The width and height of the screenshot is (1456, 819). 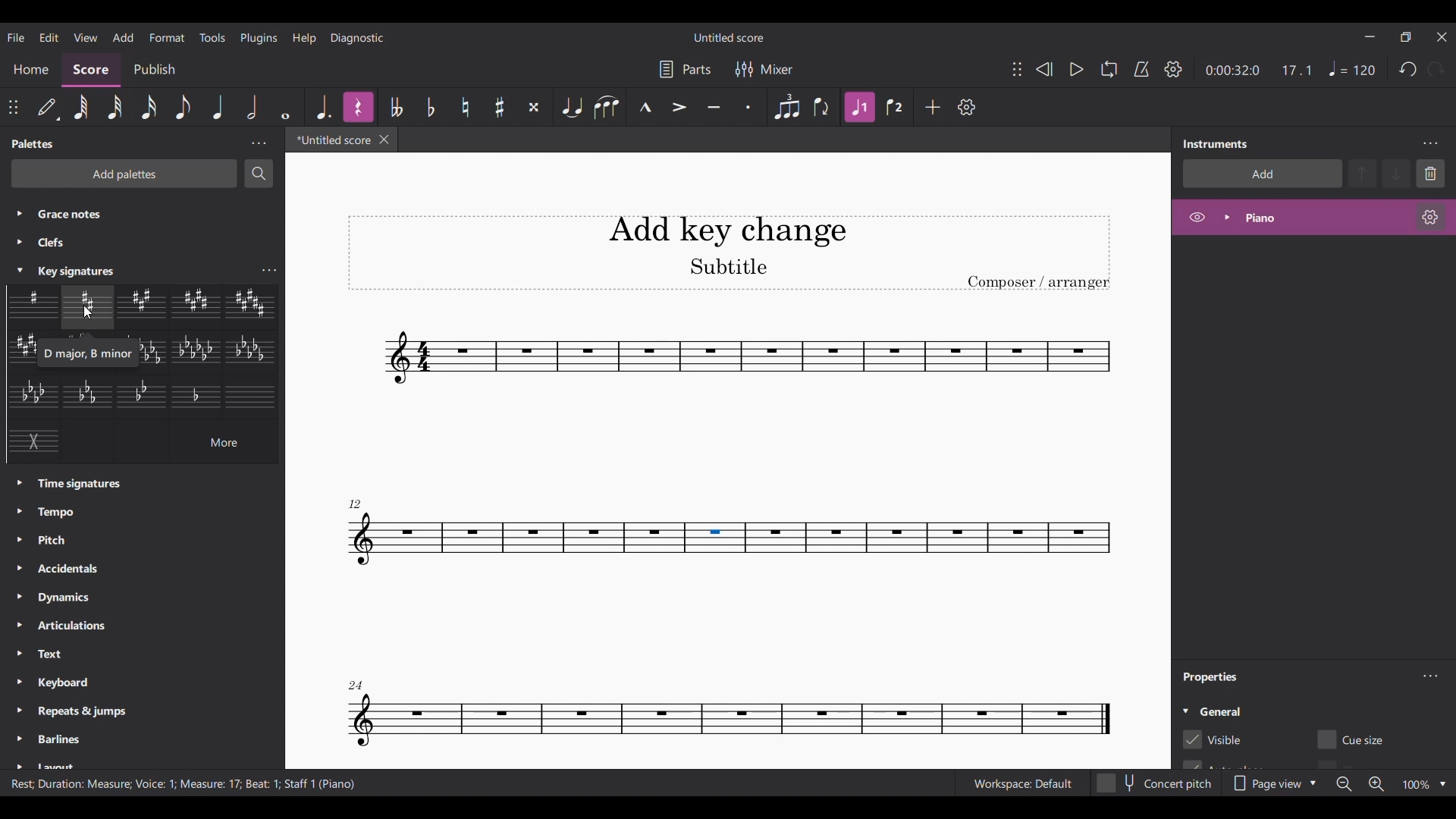 What do you see at coordinates (730, 253) in the screenshot?
I see `Score title, sub-title and composor name` at bounding box center [730, 253].